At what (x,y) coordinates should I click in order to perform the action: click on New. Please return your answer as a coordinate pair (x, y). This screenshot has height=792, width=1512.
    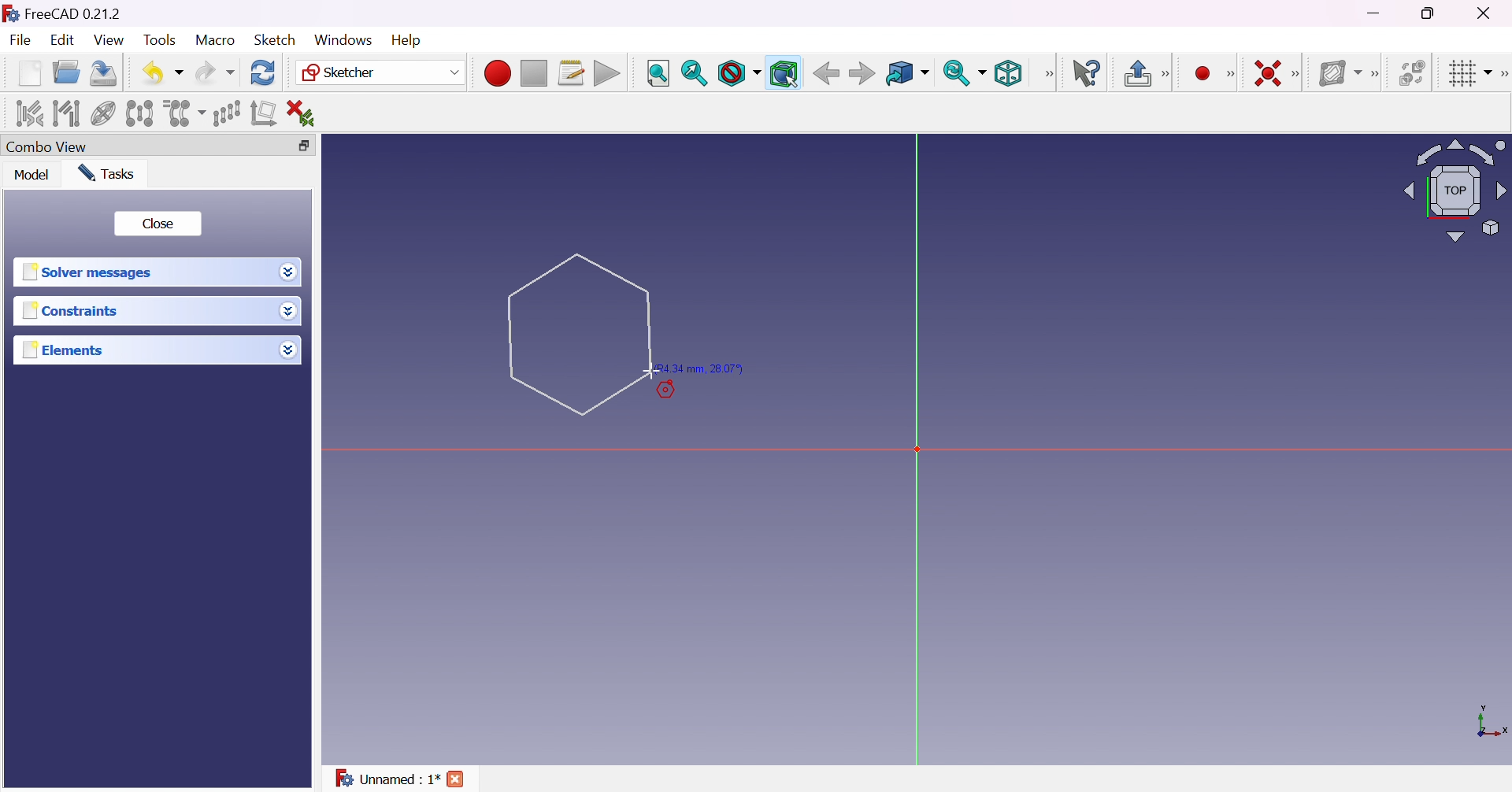
    Looking at the image, I should click on (31, 76).